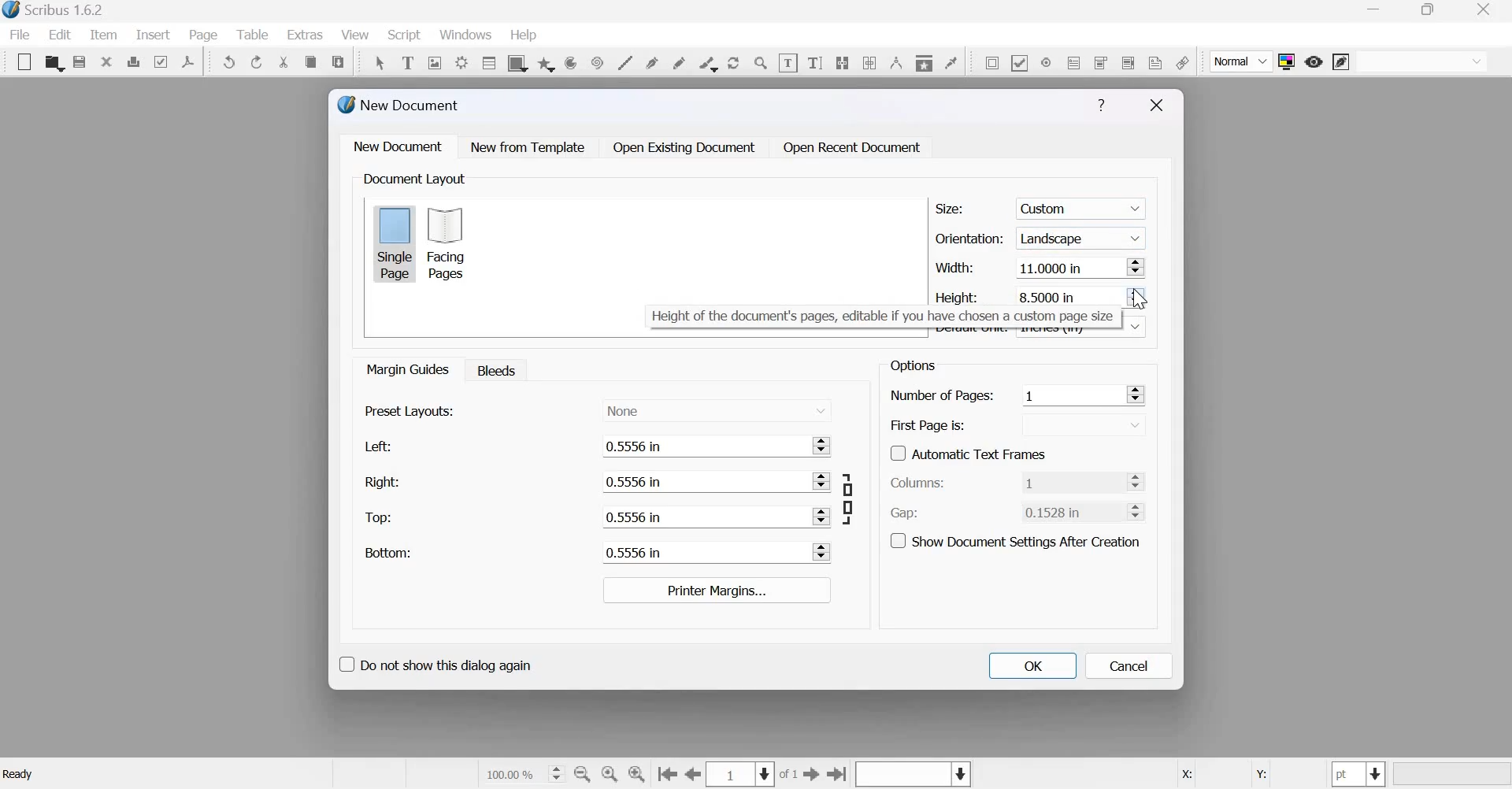 This screenshot has height=789, width=1512. I want to click on 0.5556 in, so click(702, 516).